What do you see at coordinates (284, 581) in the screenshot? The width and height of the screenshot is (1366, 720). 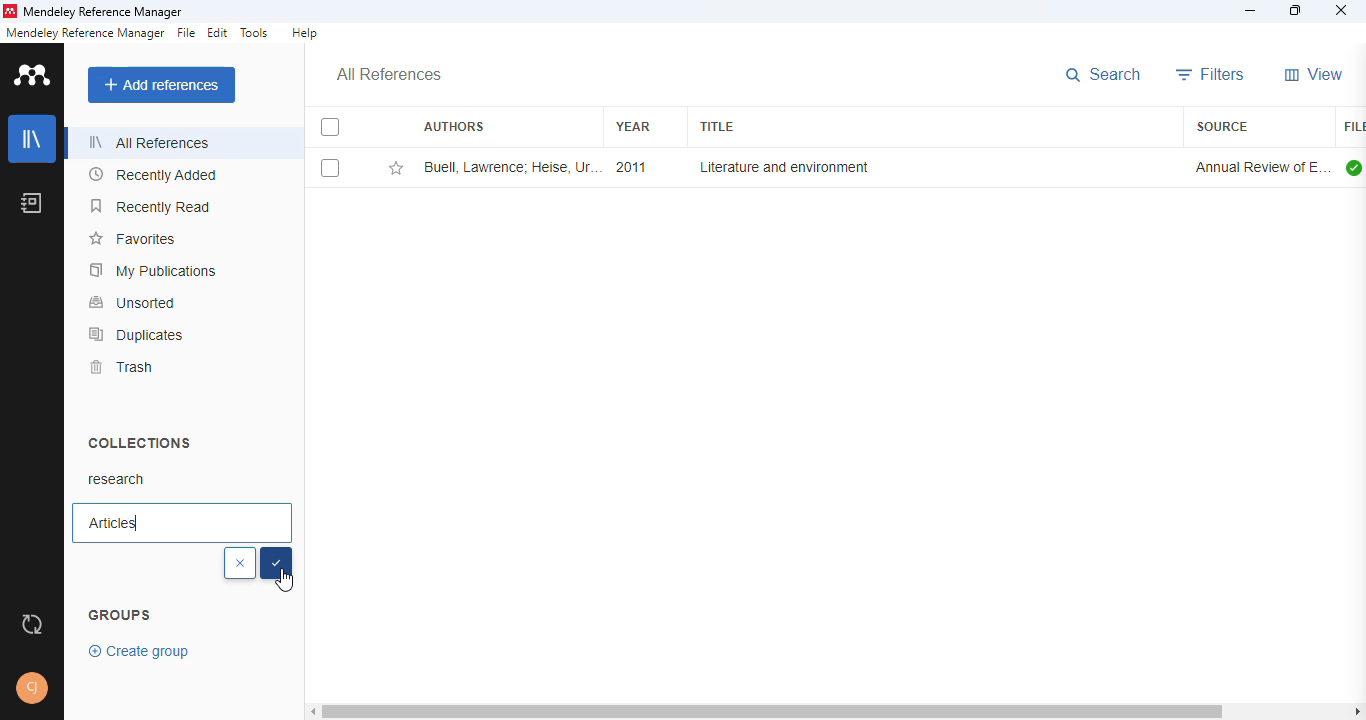 I see `cursor` at bounding box center [284, 581].